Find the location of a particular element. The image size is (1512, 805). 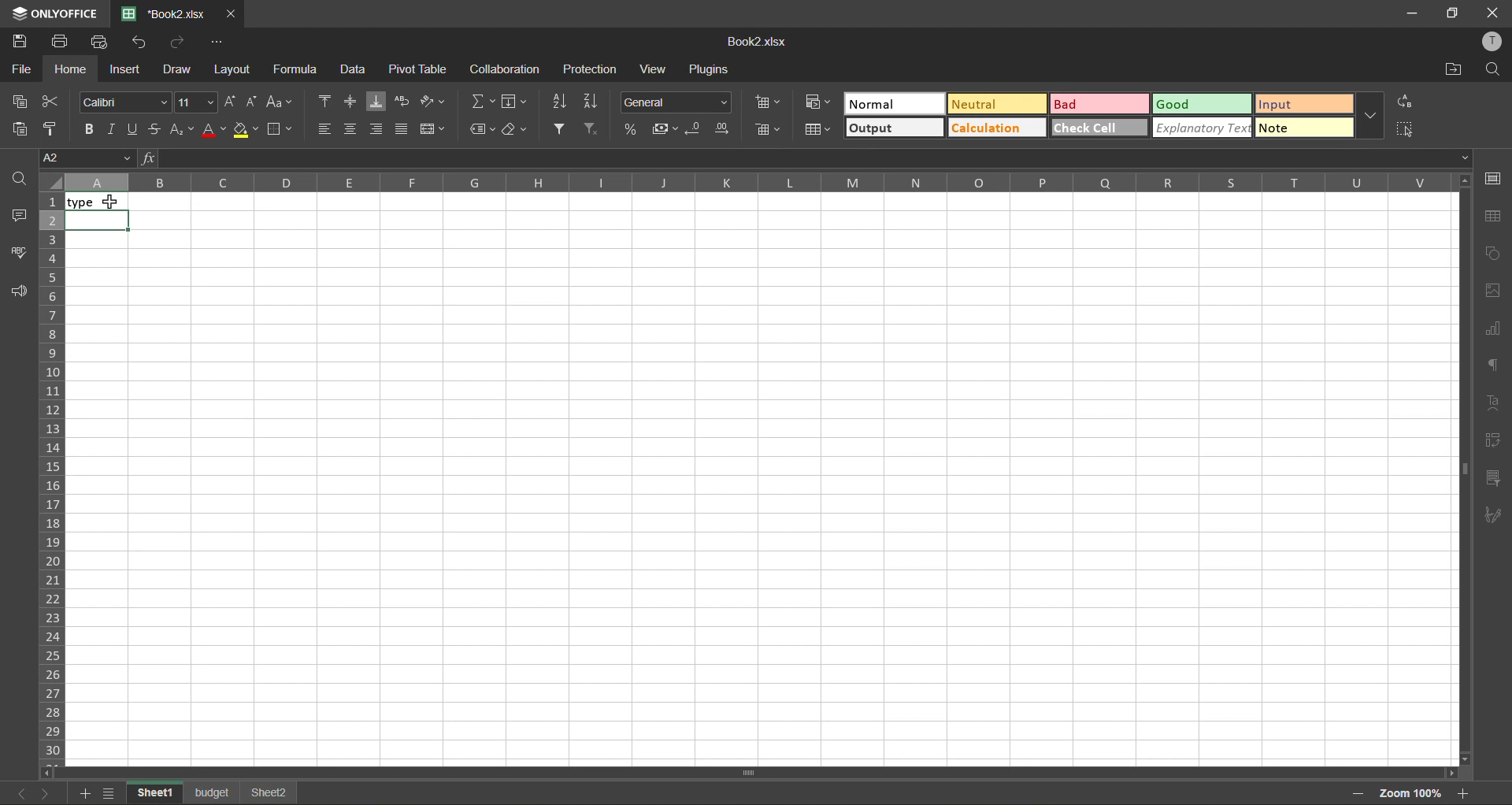

select all is located at coordinates (1407, 129).